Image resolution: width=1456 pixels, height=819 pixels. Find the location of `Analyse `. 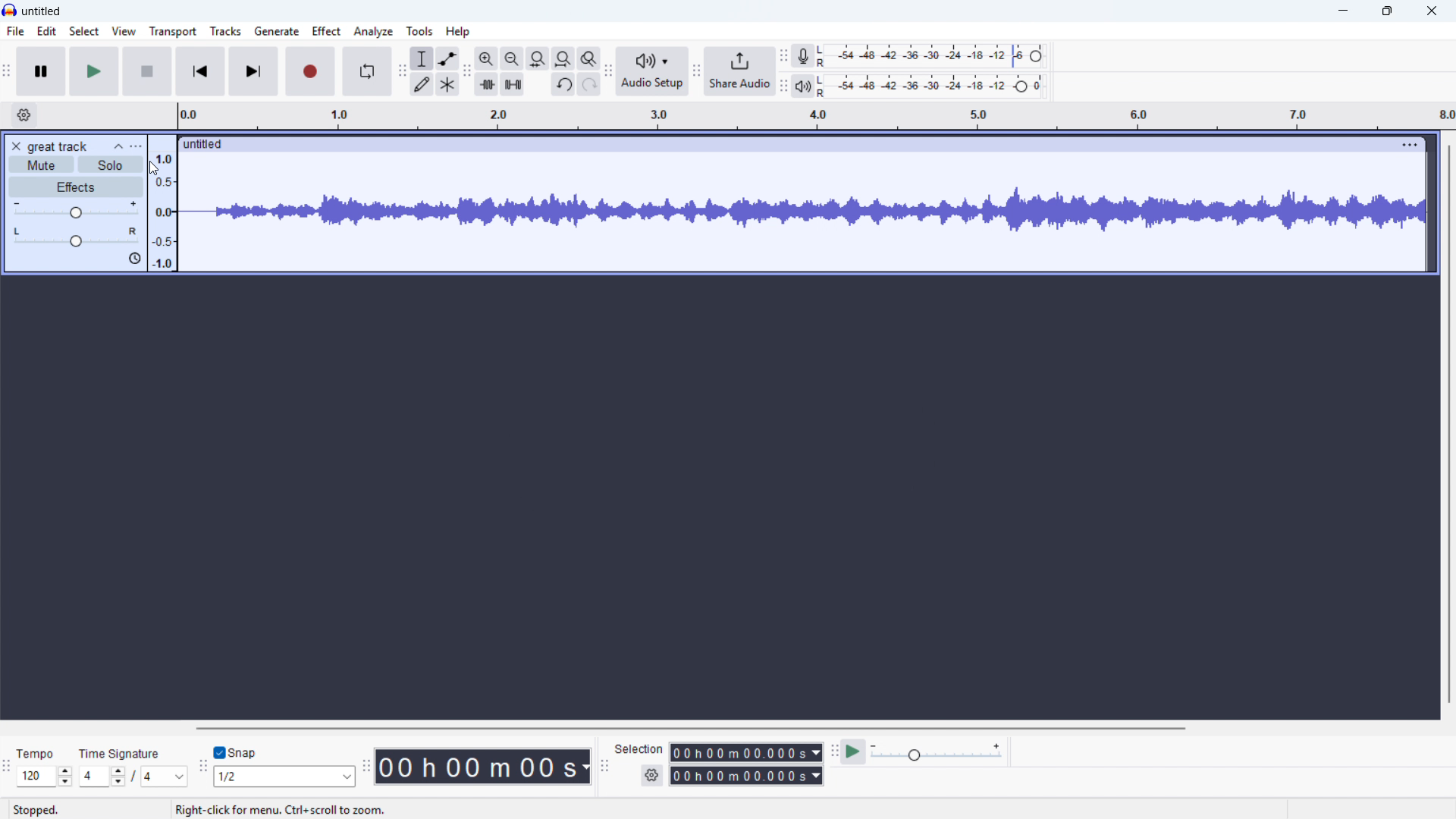

Analyse  is located at coordinates (372, 31).